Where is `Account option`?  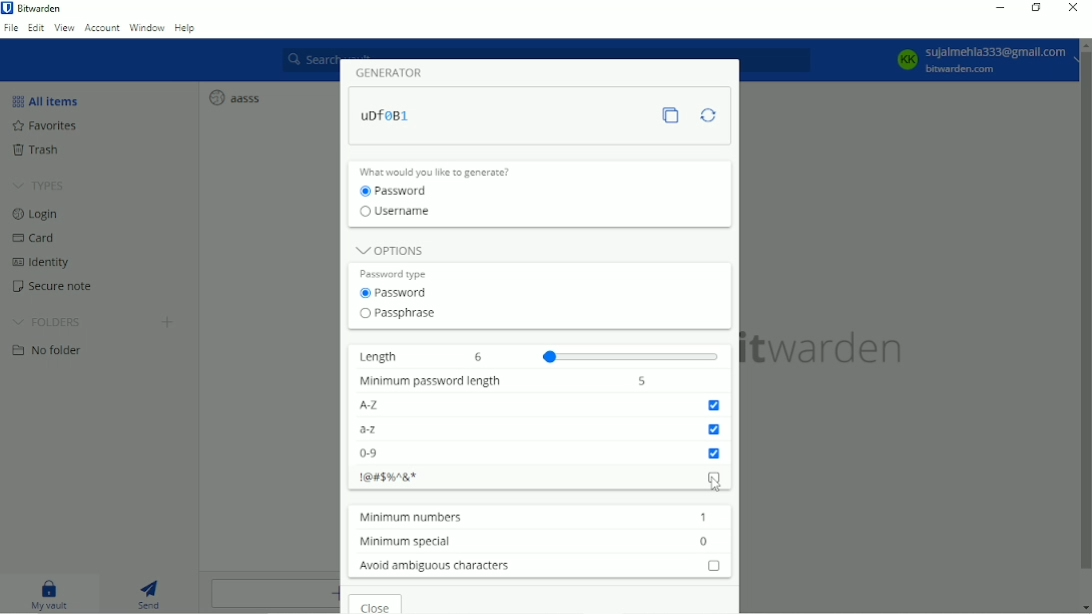
Account option is located at coordinates (982, 61).